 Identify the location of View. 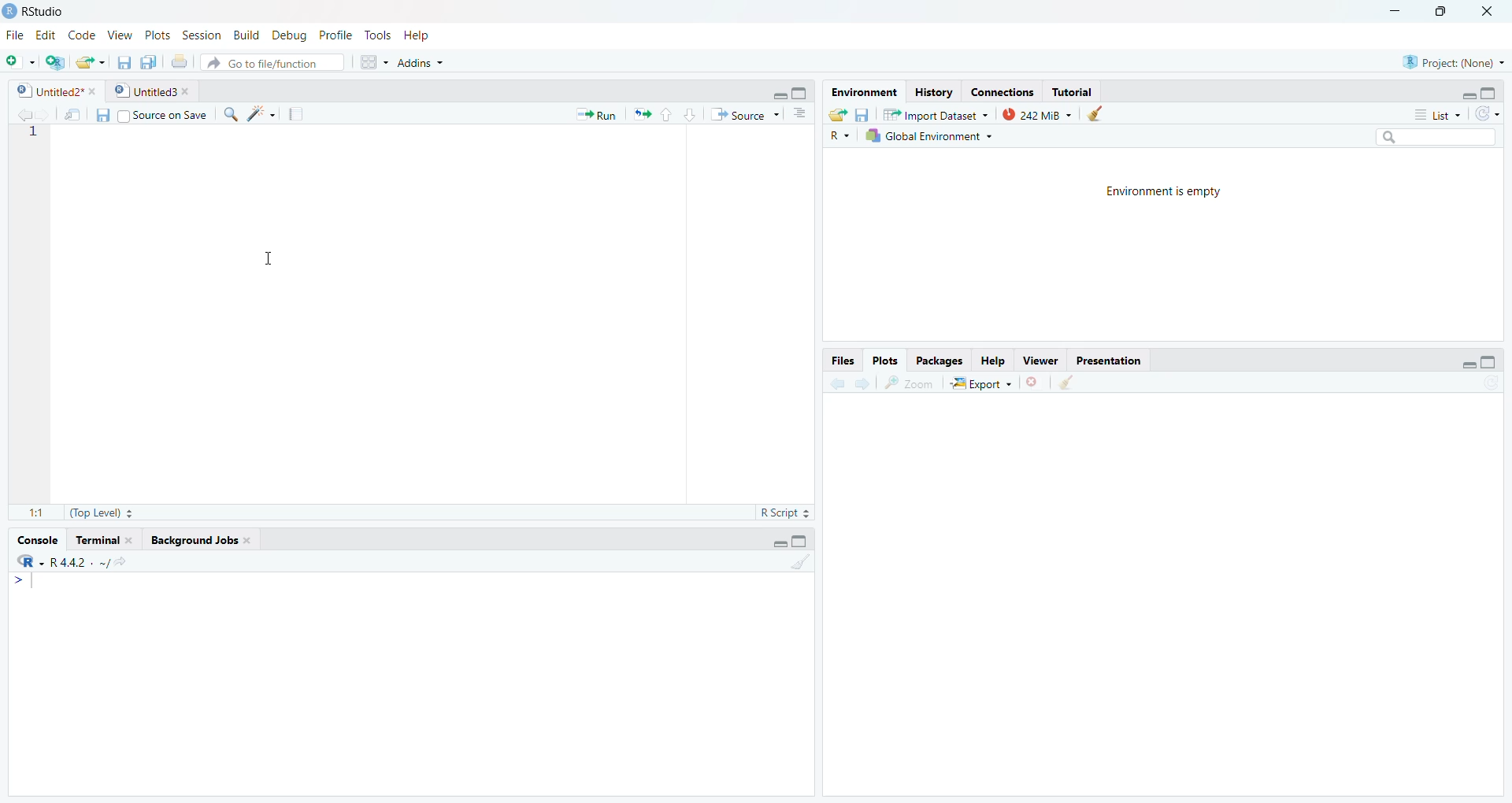
(120, 35).